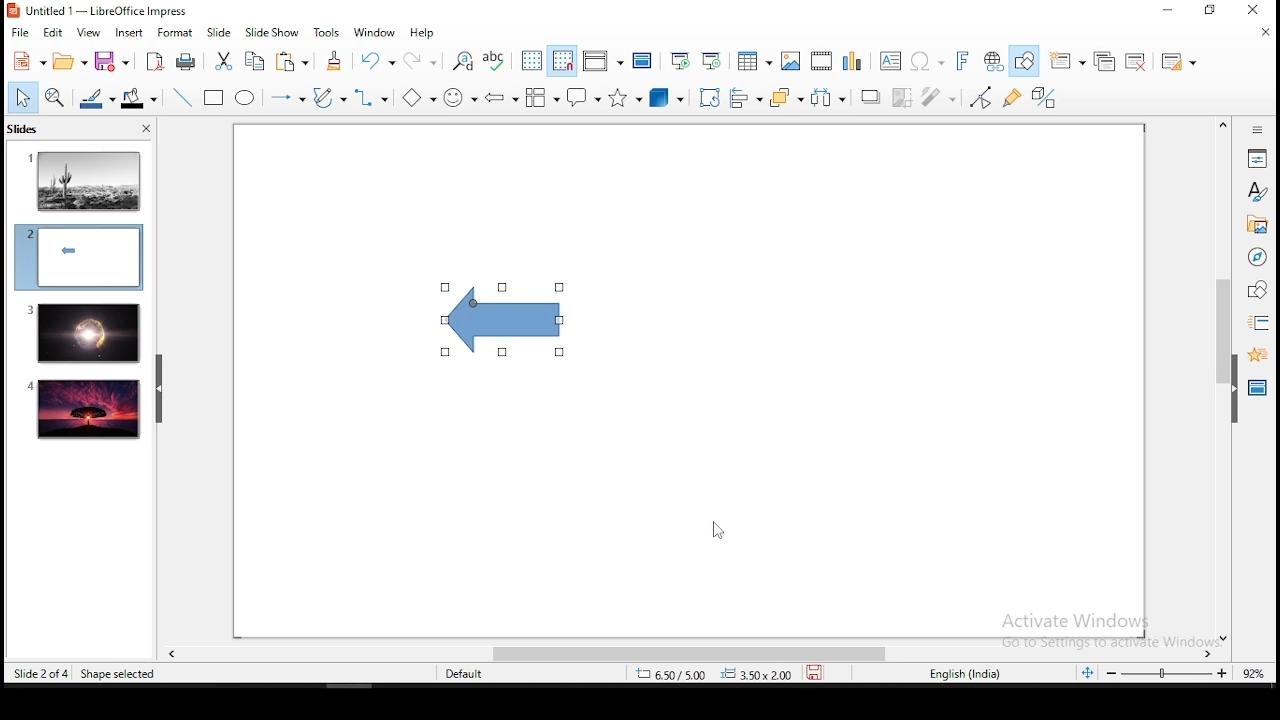 The height and width of the screenshot is (720, 1280). I want to click on arrange, so click(788, 99).